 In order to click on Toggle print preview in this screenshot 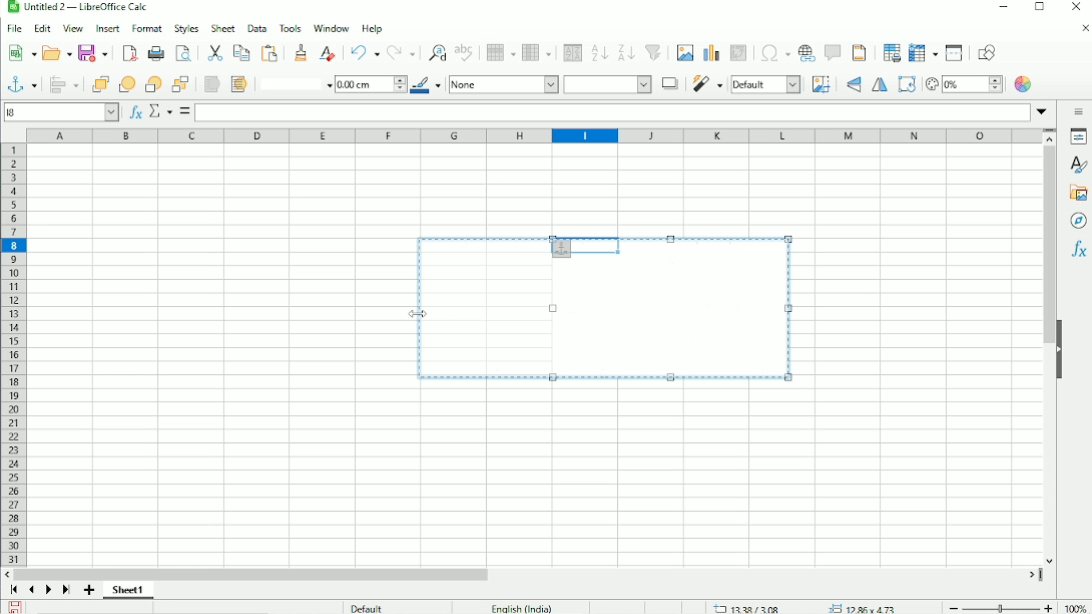, I will do `click(184, 53)`.